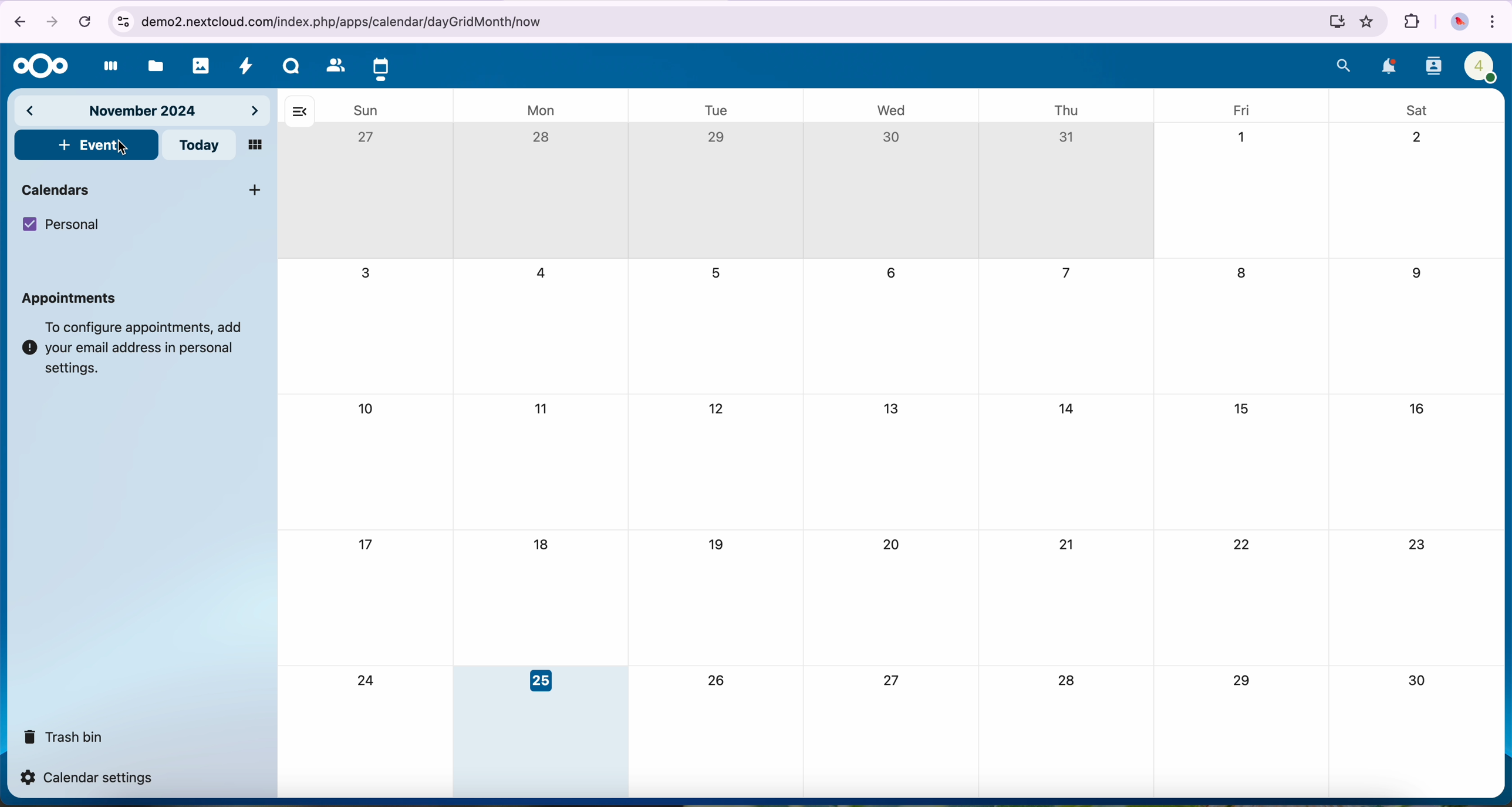 This screenshot has width=1512, height=807. I want to click on activity, so click(249, 66).